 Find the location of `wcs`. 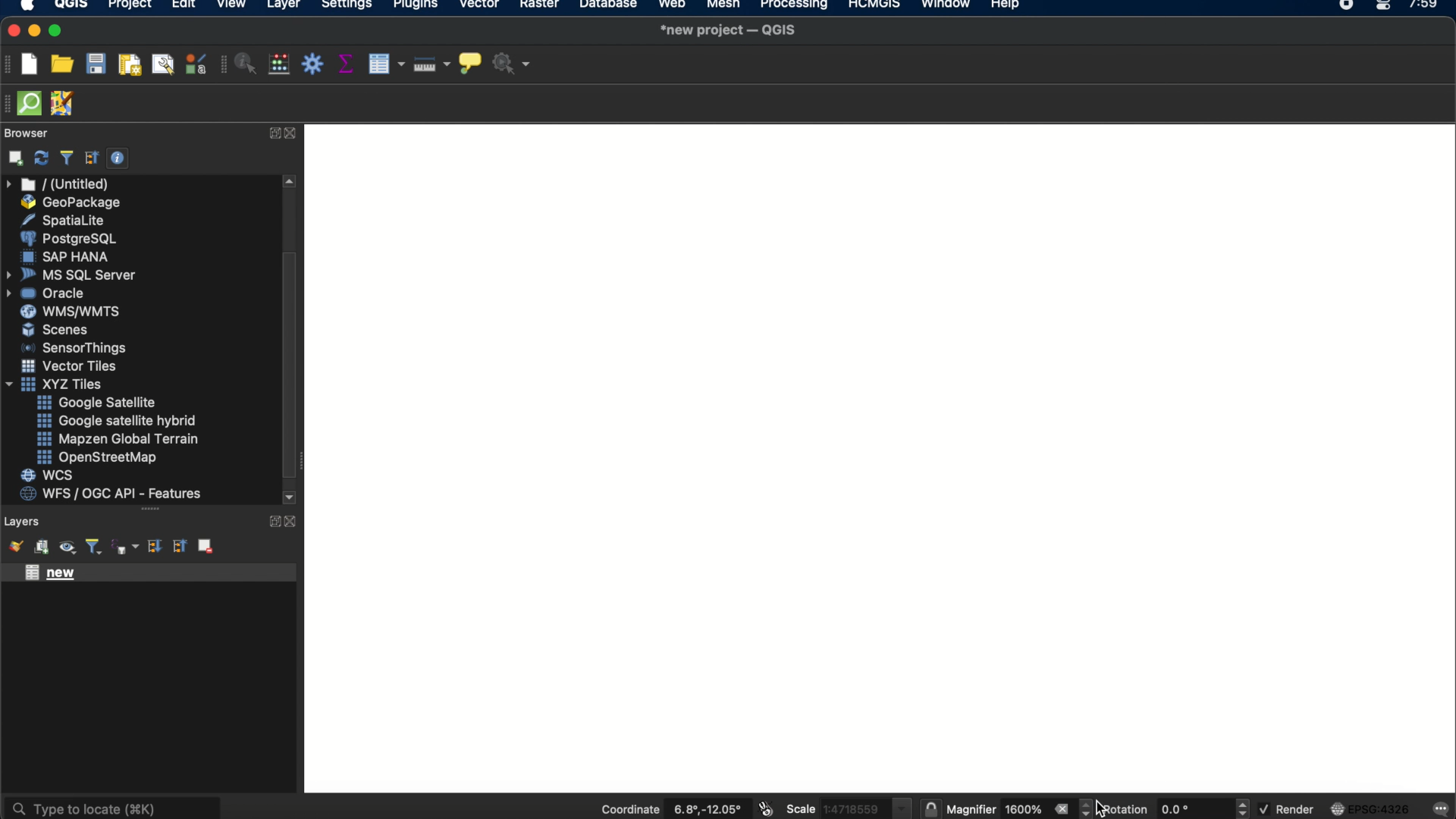

wcs is located at coordinates (49, 476).